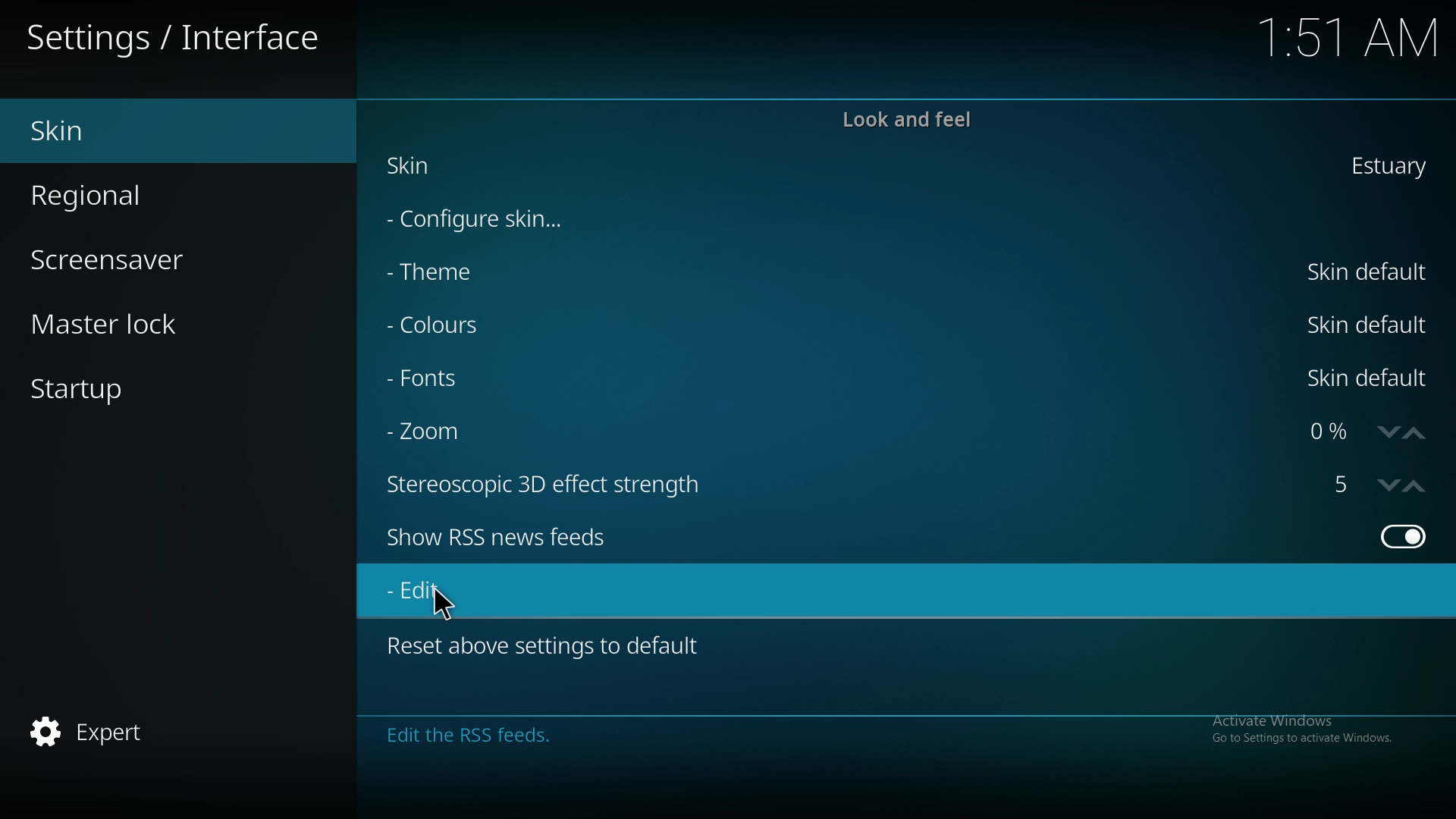 This screenshot has height=819, width=1456. Describe the element at coordinates (428, 593) in the screenshot. I see `edit` at that location.